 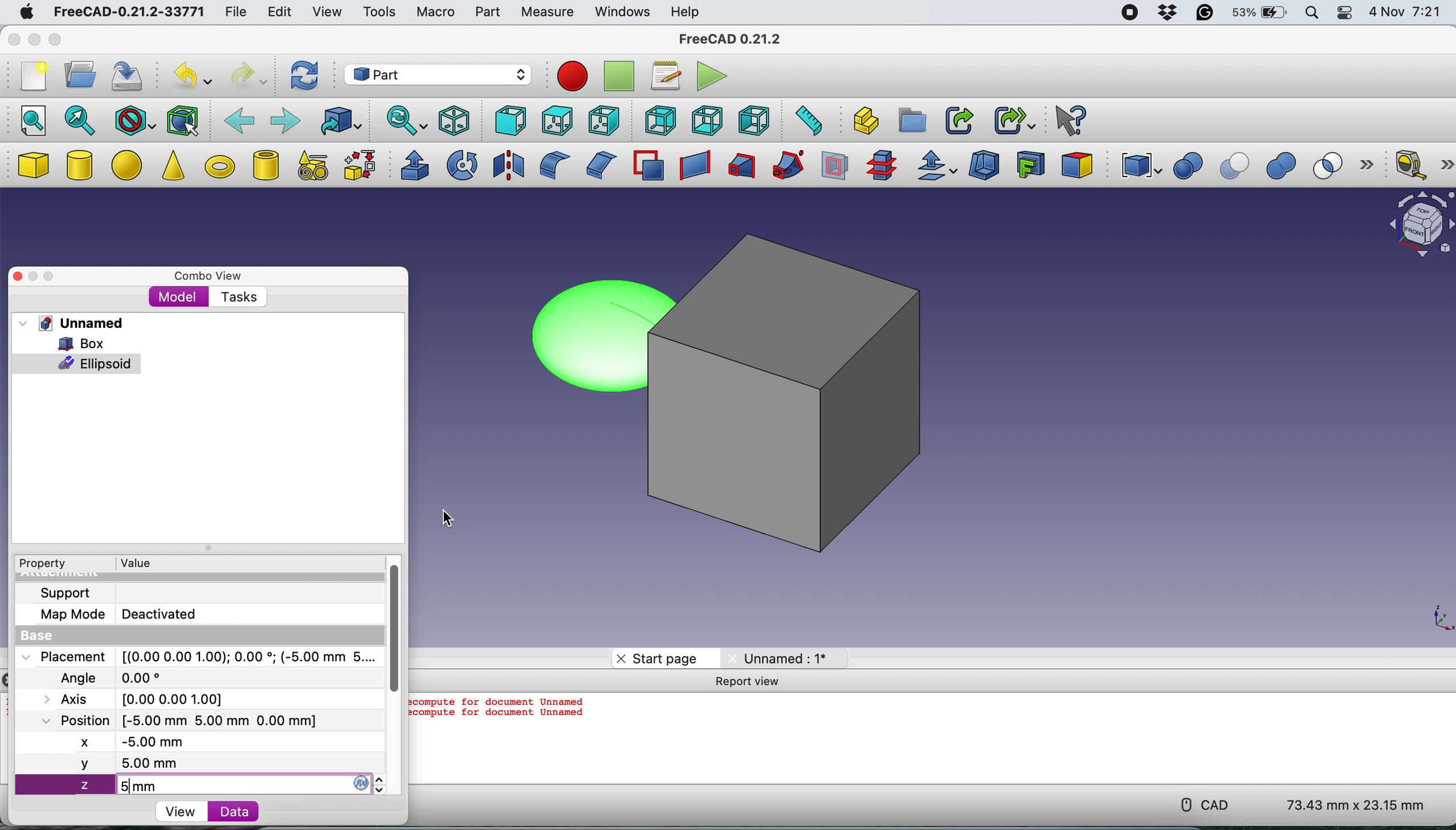 I want to click on z 5 mm, so click(x=207, y=786).